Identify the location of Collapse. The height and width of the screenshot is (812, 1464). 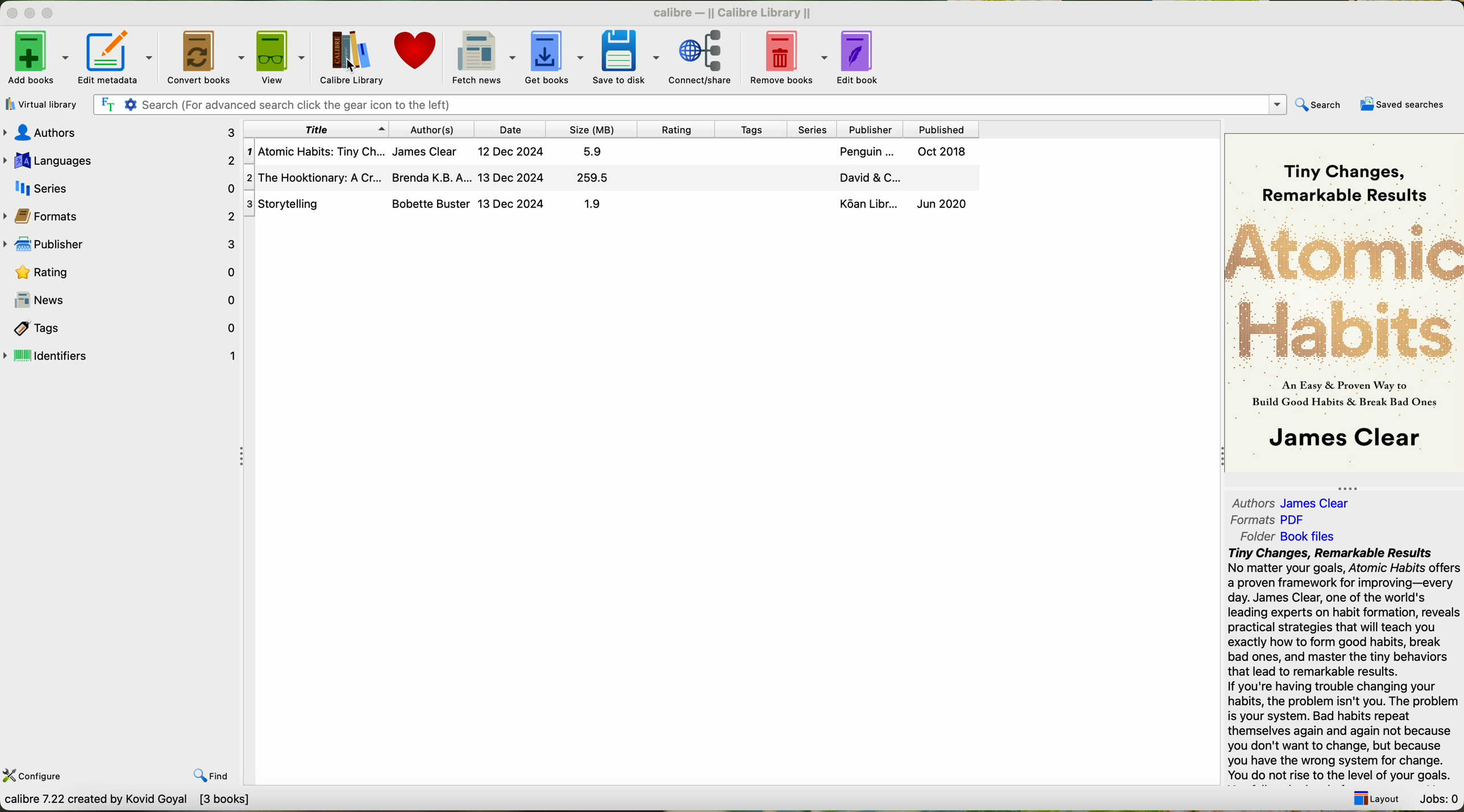
(244, 457).